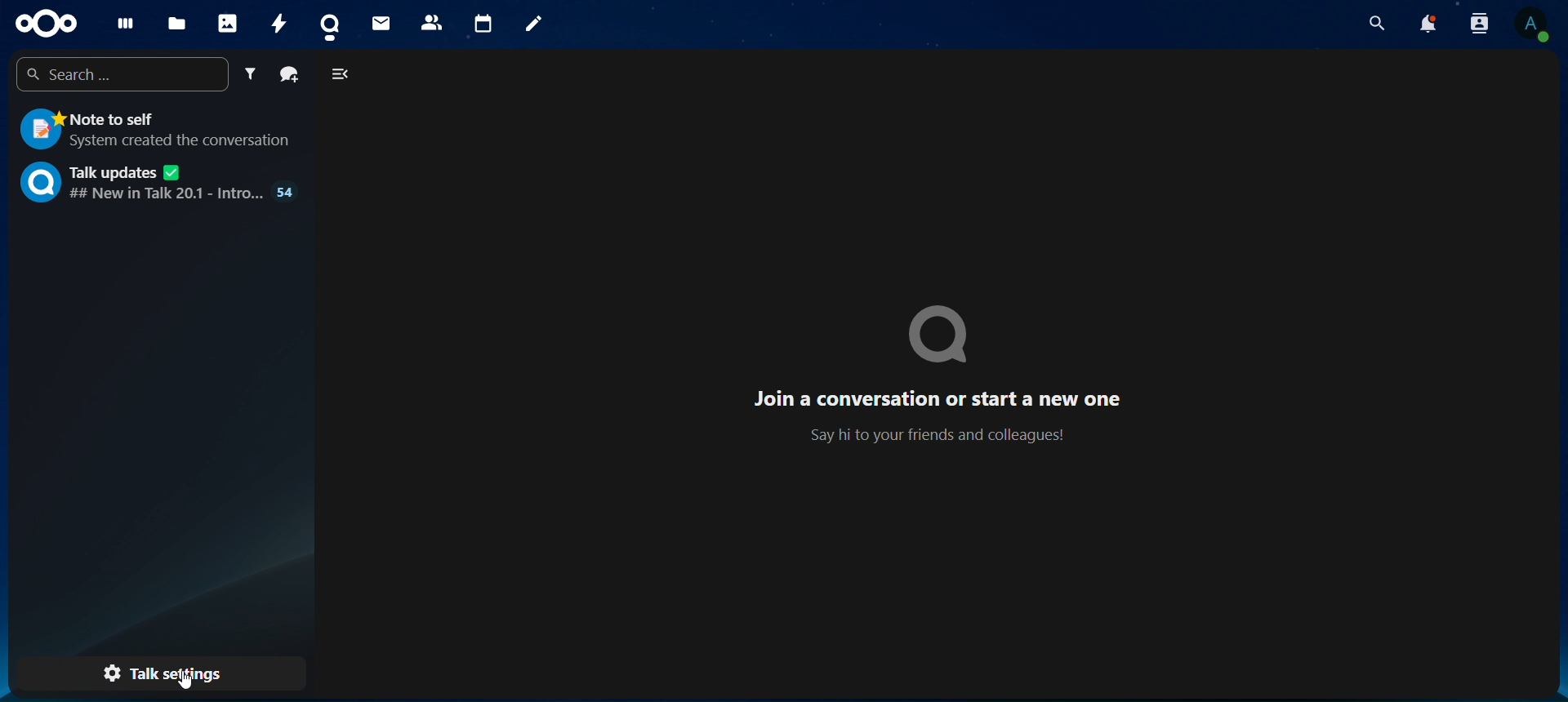 This screenshot has width=1568, height=702. I want to click on dashboard, so click(120, 23).